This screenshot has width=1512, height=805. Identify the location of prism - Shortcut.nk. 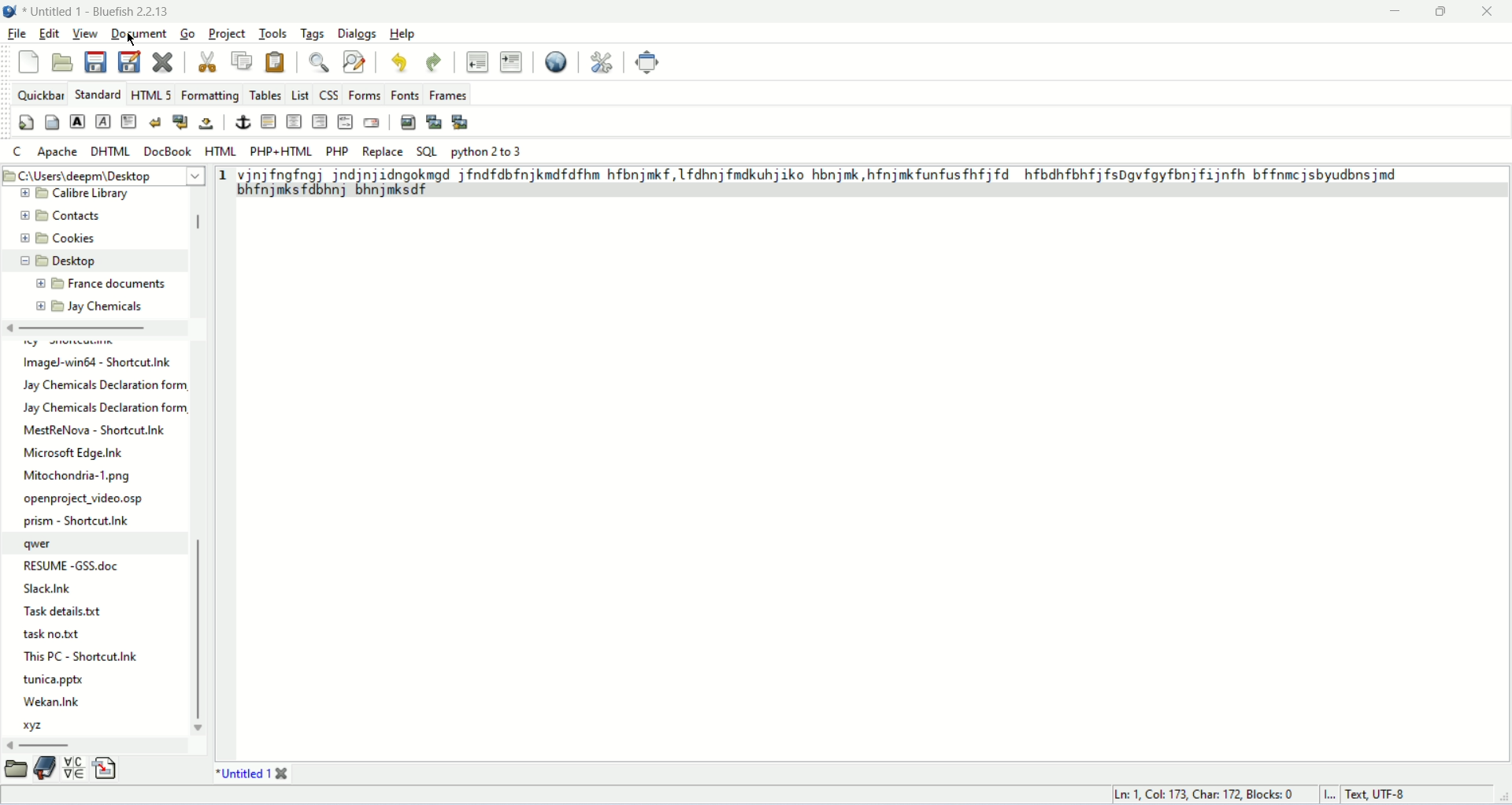
(80, 521).